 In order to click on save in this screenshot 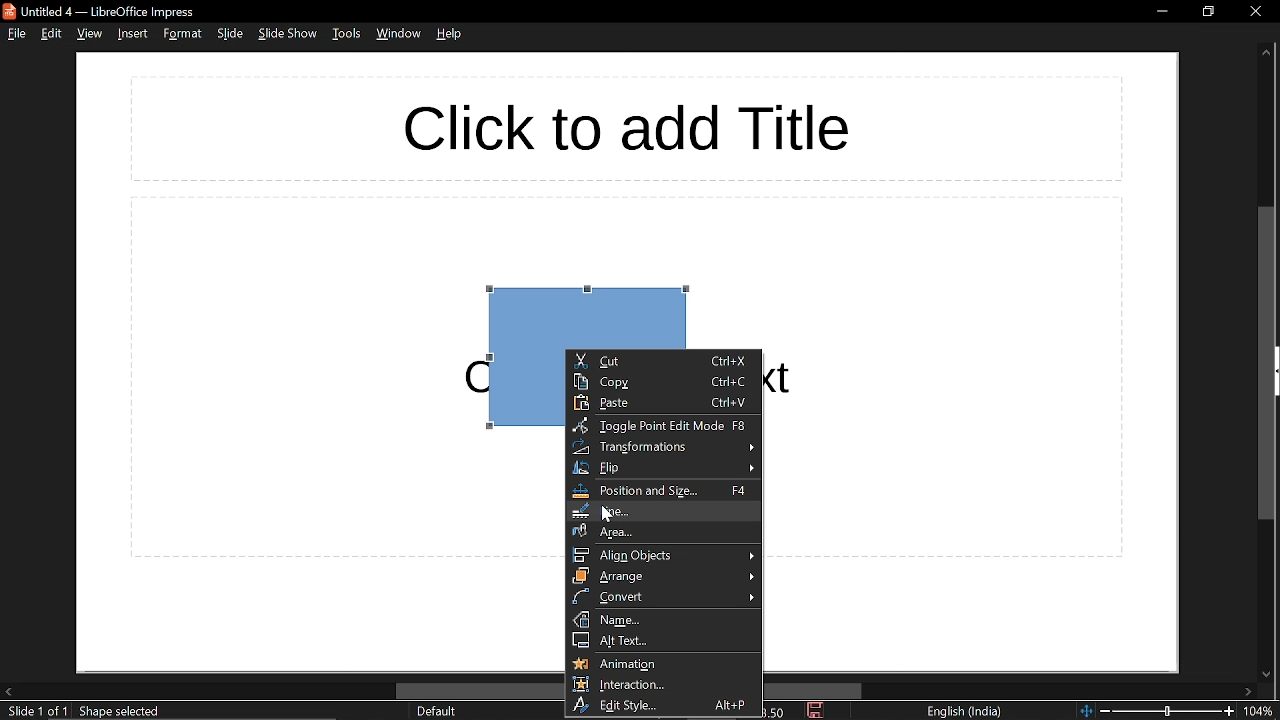, I will do `click(815, 710)`.